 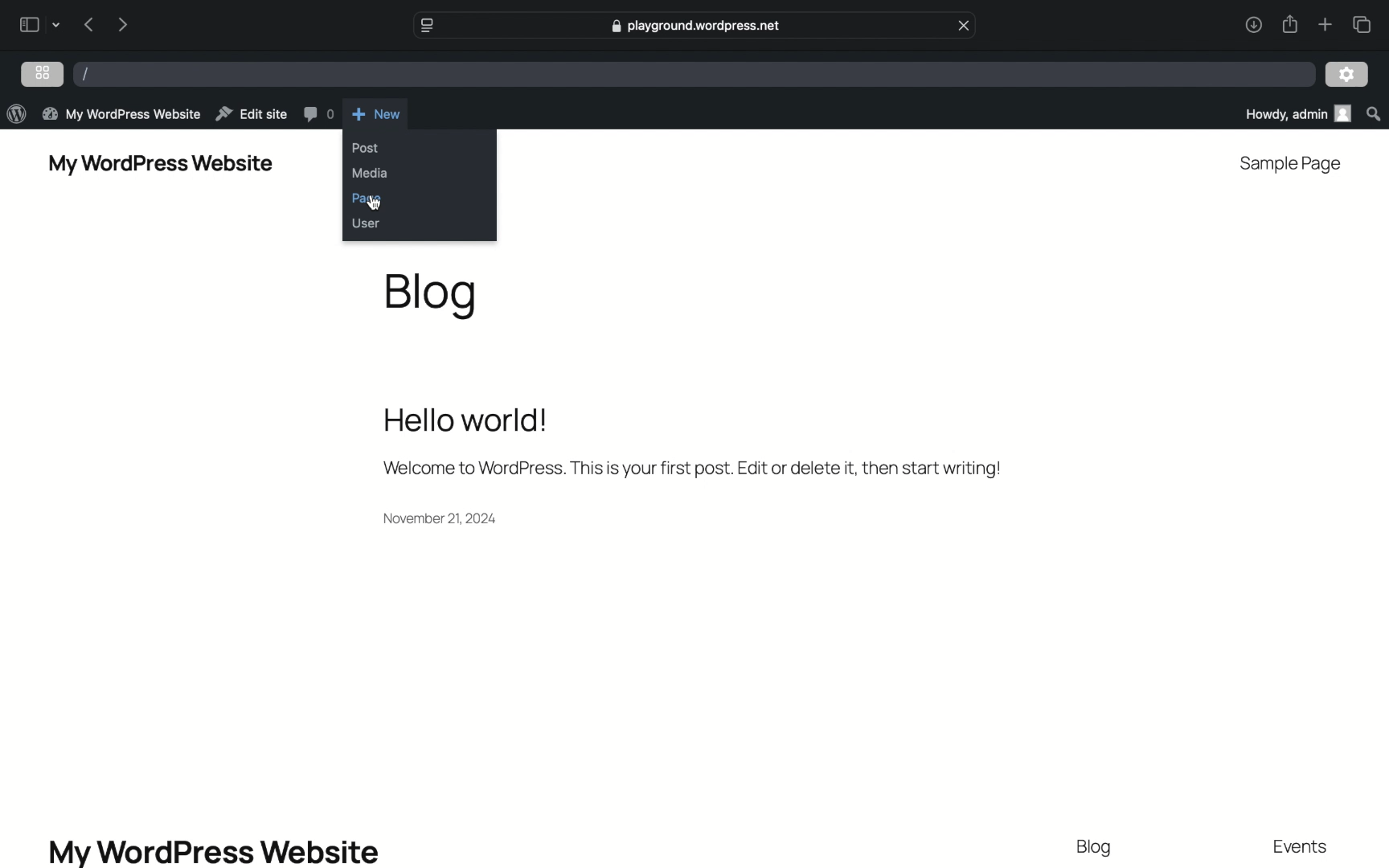 I want to click on blog, so click(x=1097, y=849).